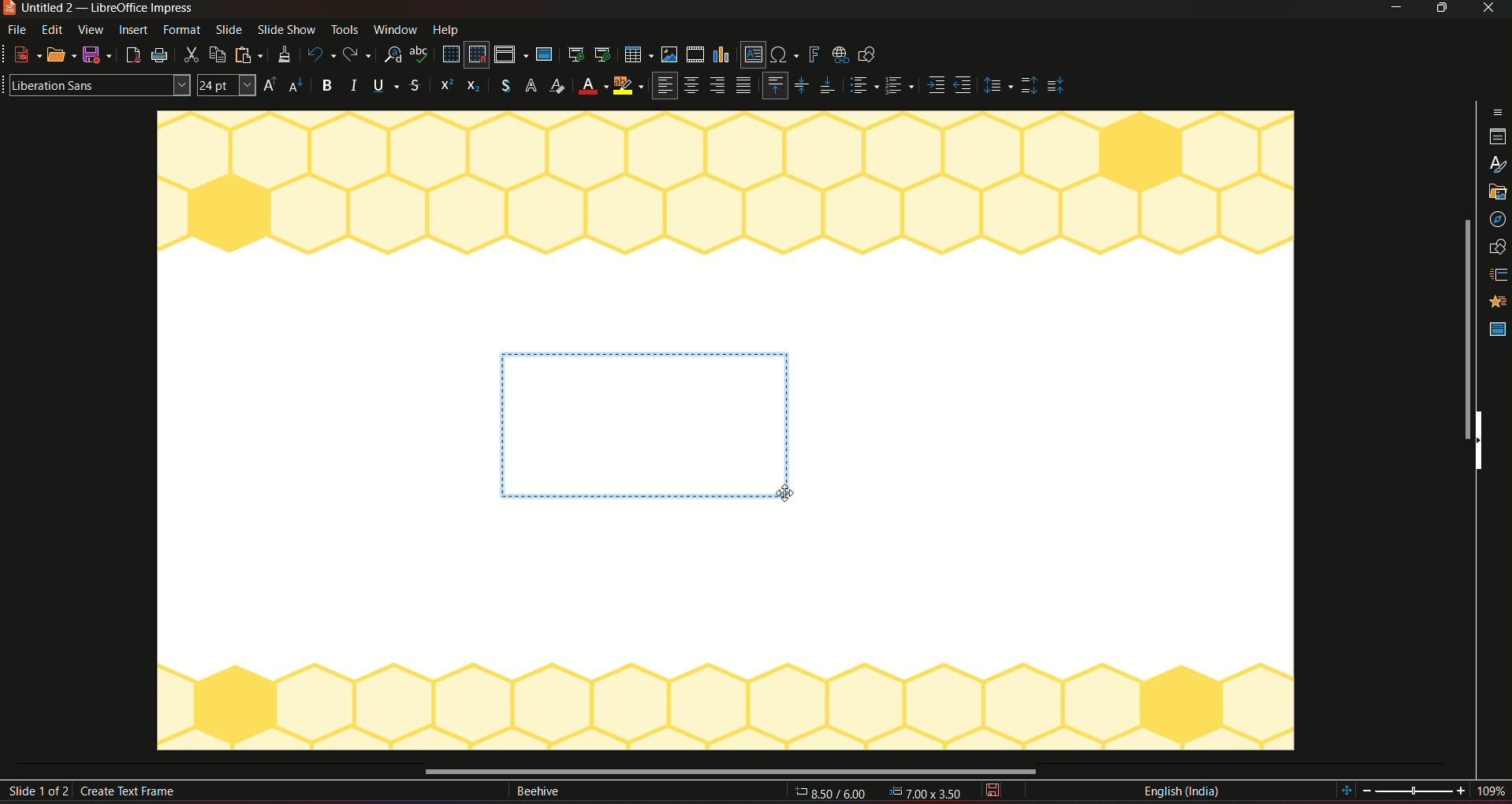 Image resolution: width=1512 pixels, height=804 pixels. What do you see at coordinates (444, 87) in the screenshot?
I see `icon` at bounding box center [444, 87].